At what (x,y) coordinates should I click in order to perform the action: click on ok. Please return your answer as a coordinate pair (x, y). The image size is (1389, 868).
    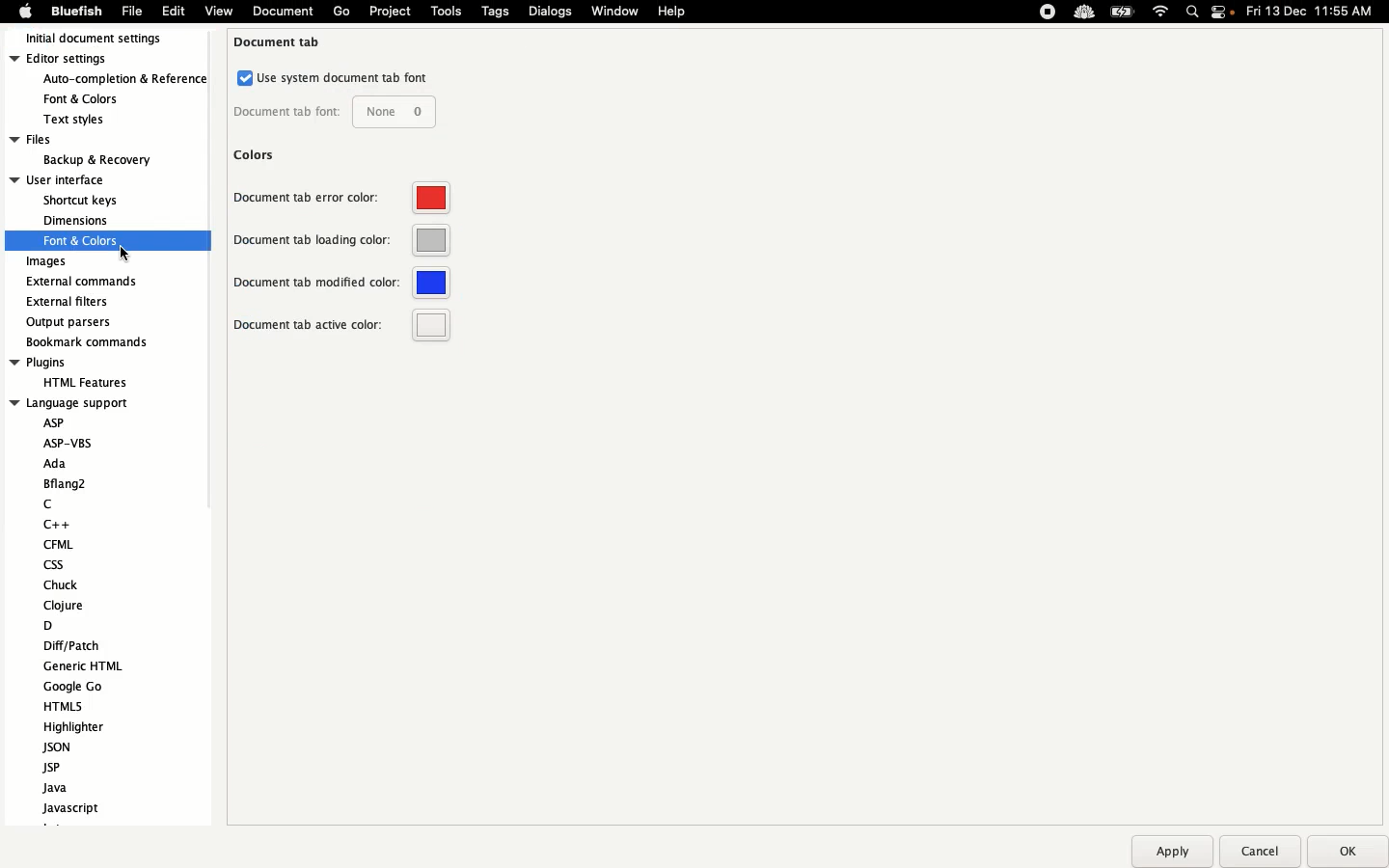
    Looking at the image, I should click on (1345, 850).